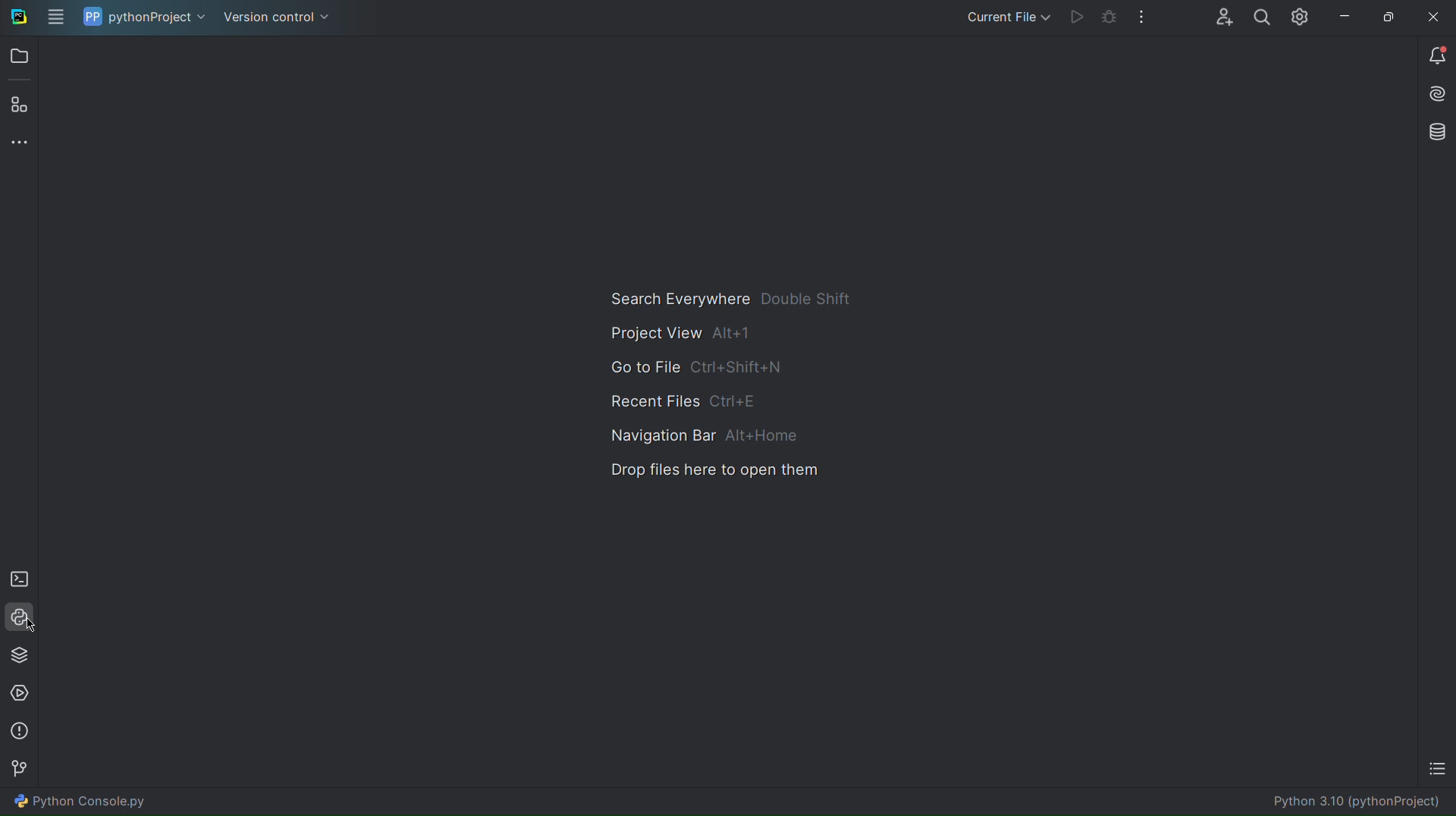  I want to click on Python Console.py, so click(80, 801).